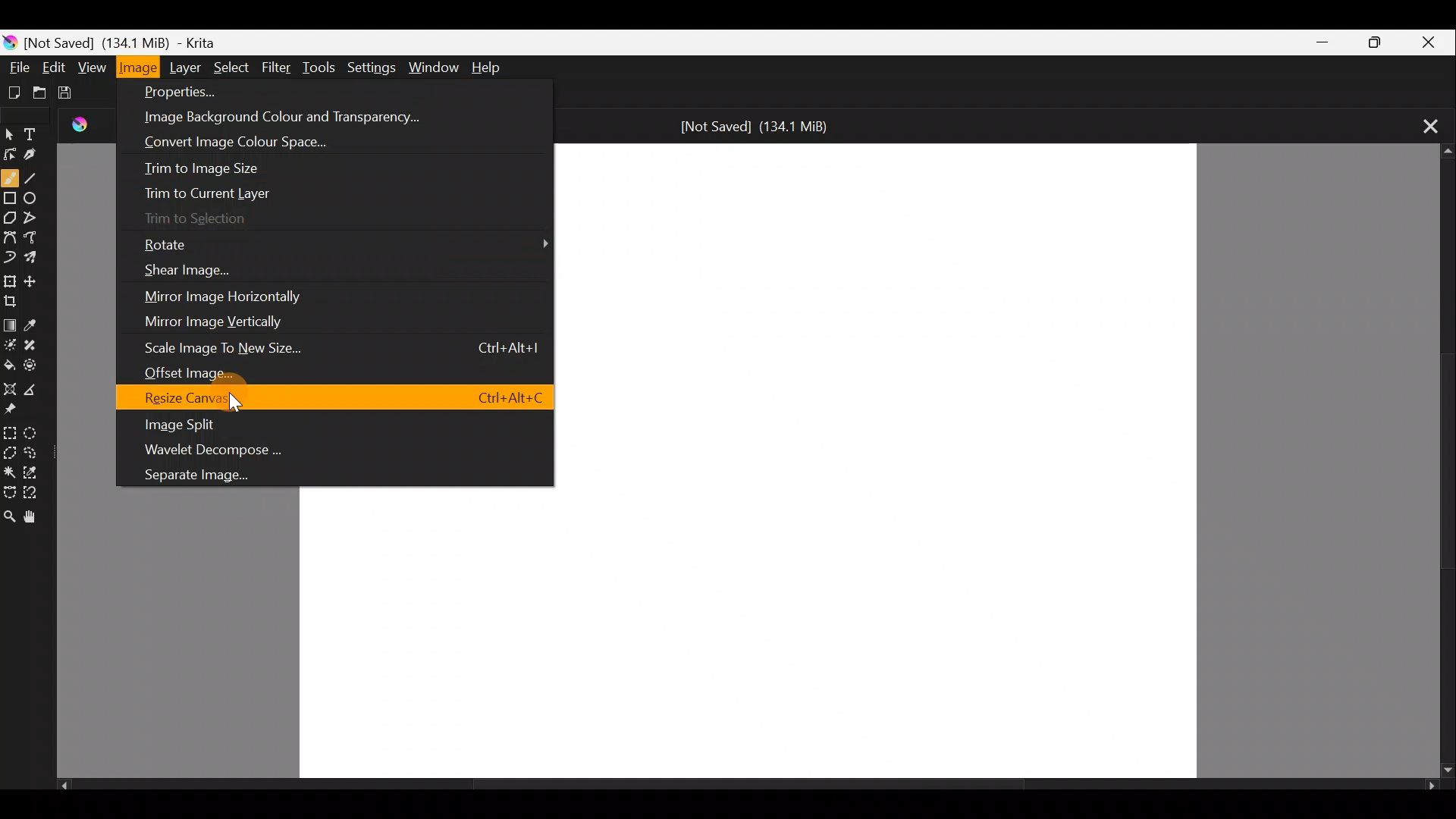 This screenshot has width=1456, height=819. I want to click on Edit shapes tool, so click(11, 153).